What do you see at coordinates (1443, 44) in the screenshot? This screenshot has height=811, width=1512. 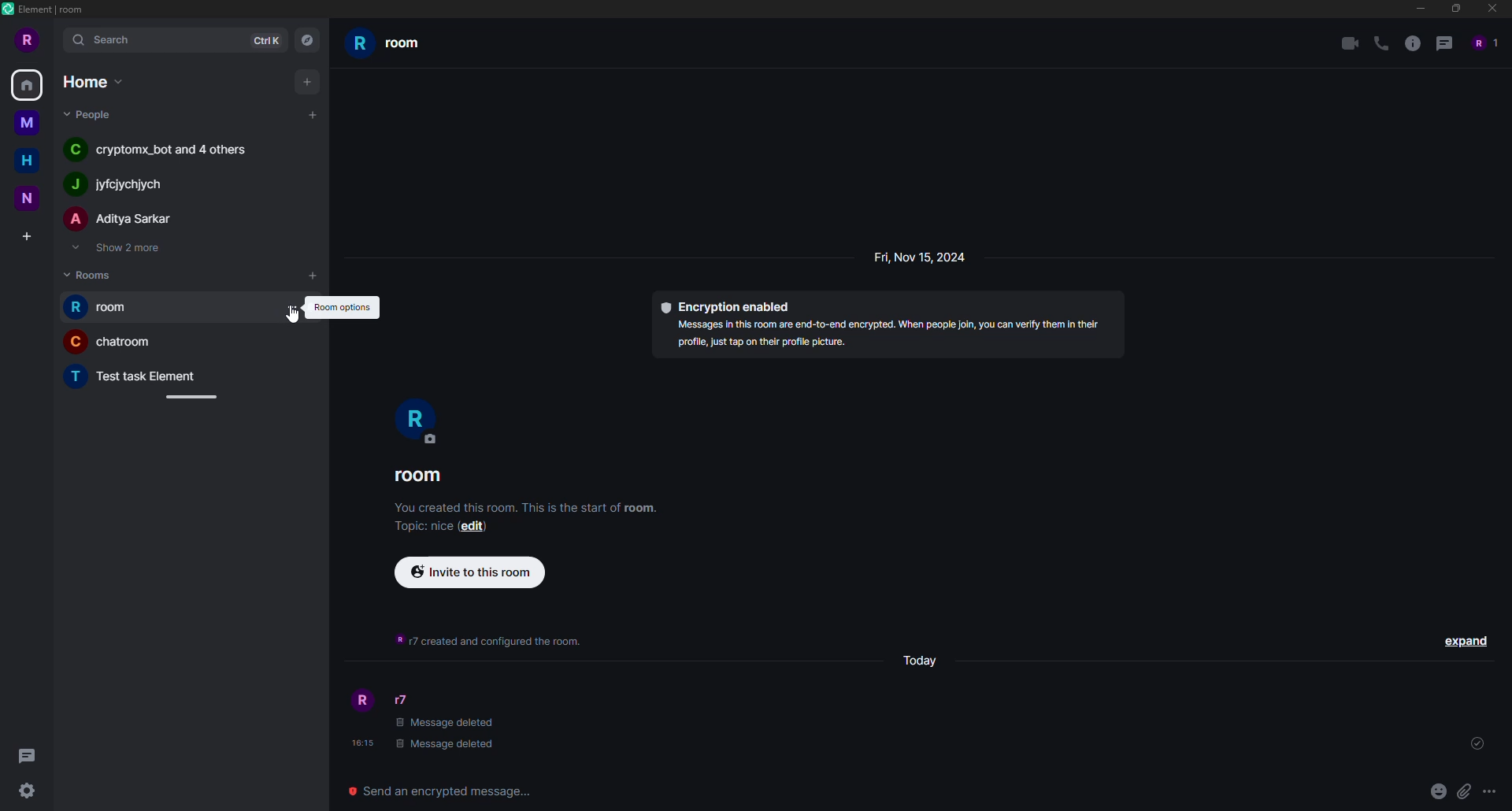 I see `threads` at bounding box center [1443, 44].